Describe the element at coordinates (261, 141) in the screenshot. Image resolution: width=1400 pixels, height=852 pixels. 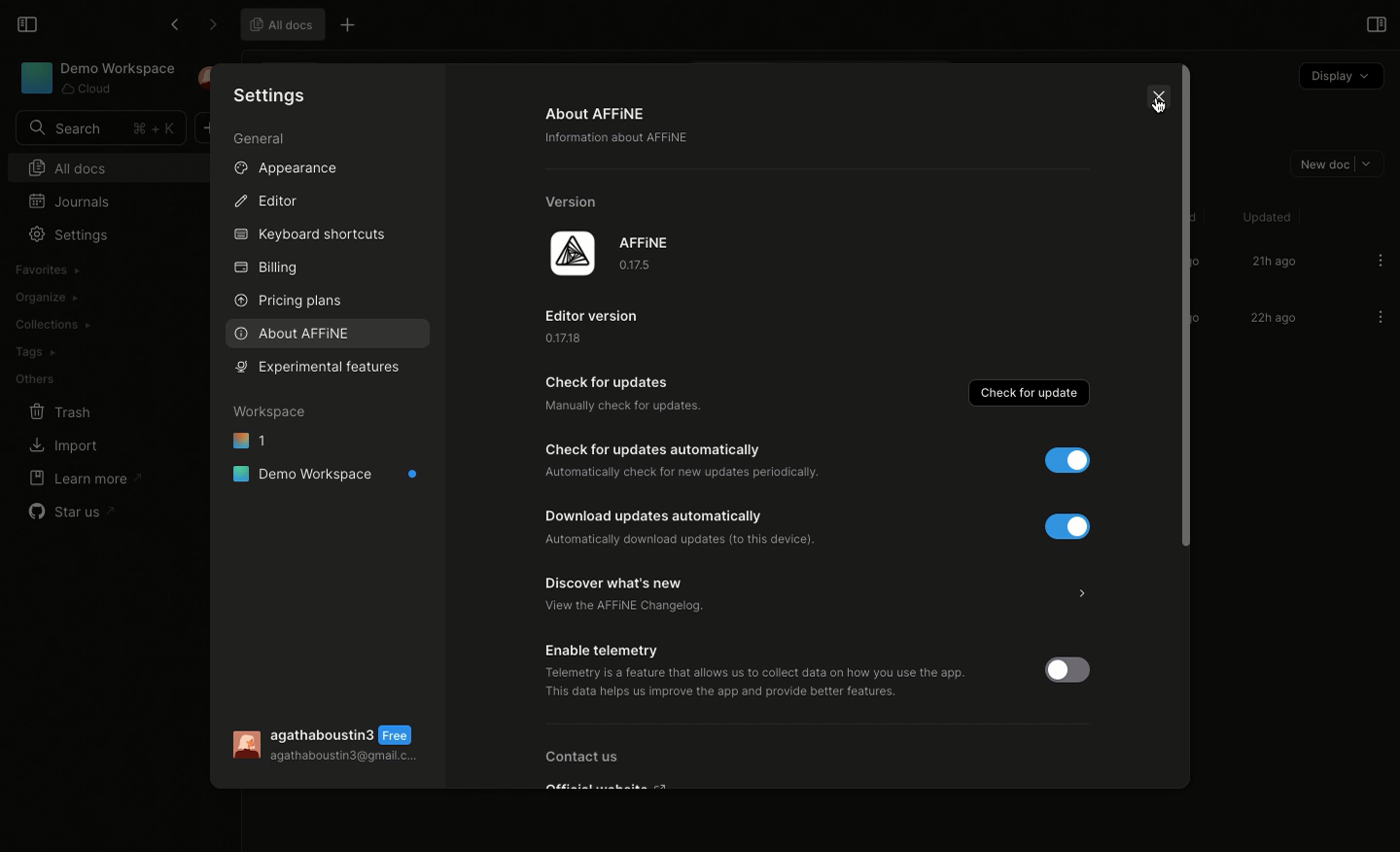
I see `General` at that location.